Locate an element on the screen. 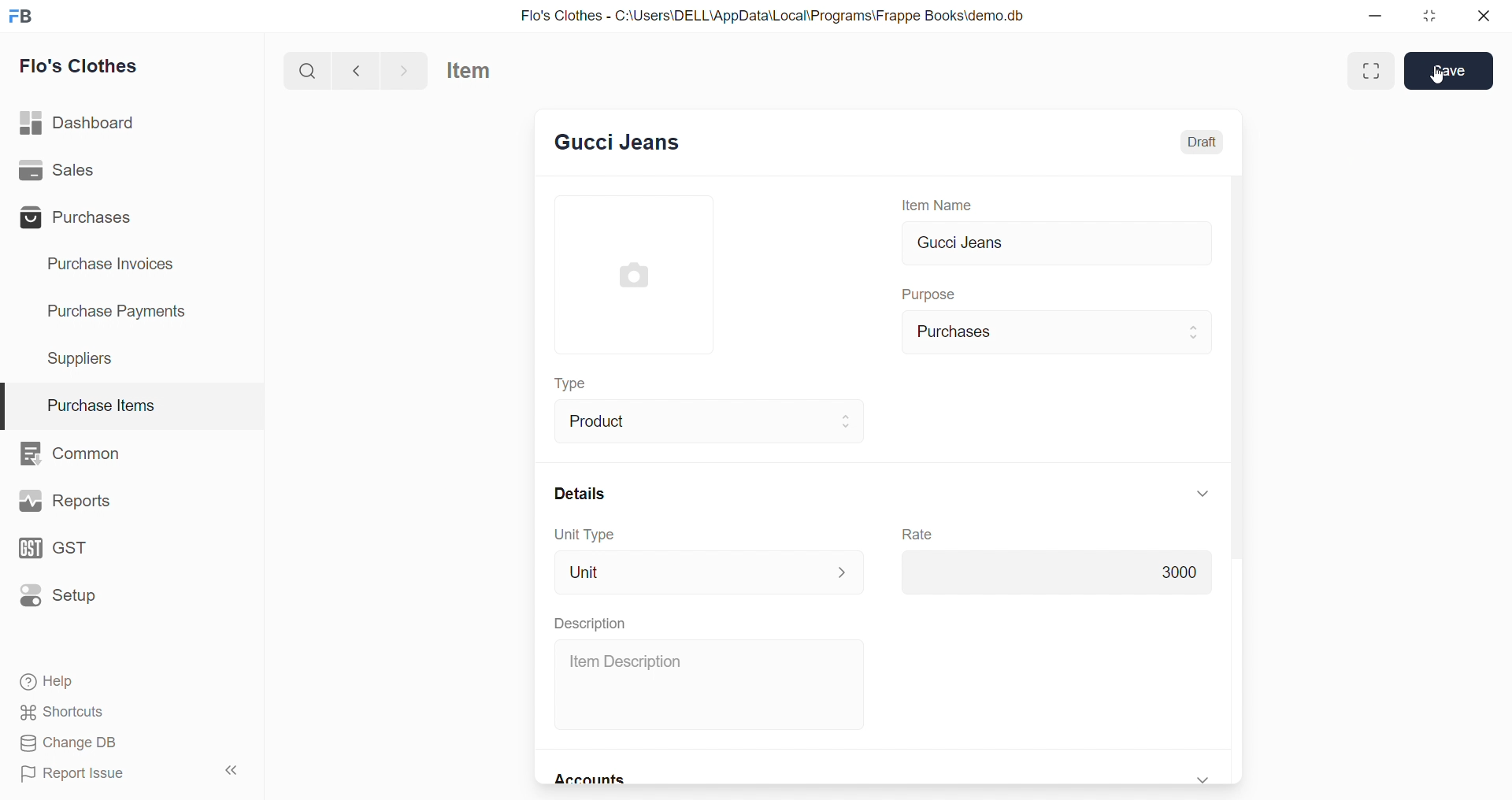 This screenshot has width=1512, height=800. Item Description is located at coordinates (713, 685).